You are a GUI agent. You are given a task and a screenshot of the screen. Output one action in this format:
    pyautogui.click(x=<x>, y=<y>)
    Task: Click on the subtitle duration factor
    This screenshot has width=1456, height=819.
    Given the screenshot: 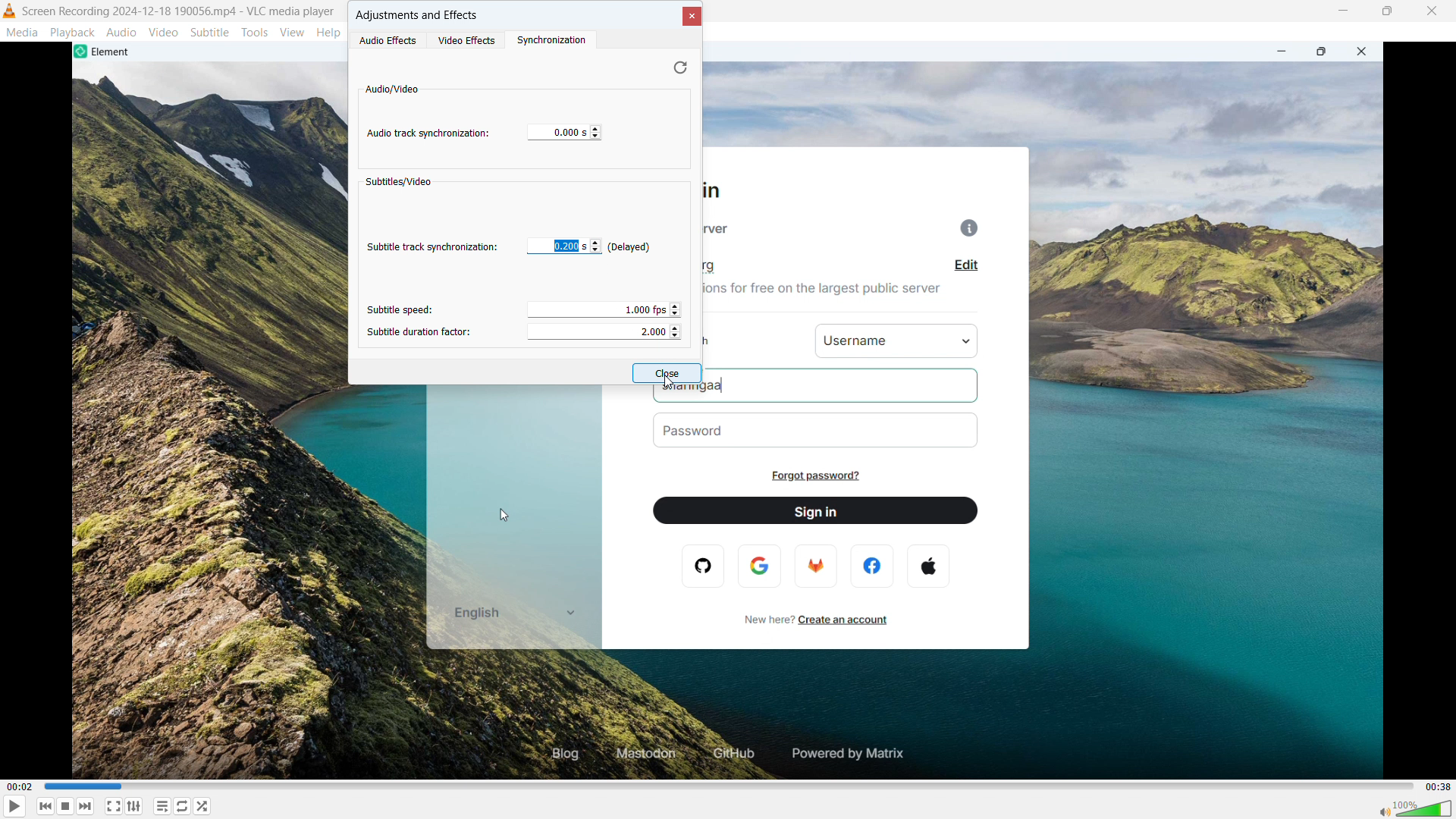 What is the action you would take?
    pyautogui.click(x=421, y=332)
    